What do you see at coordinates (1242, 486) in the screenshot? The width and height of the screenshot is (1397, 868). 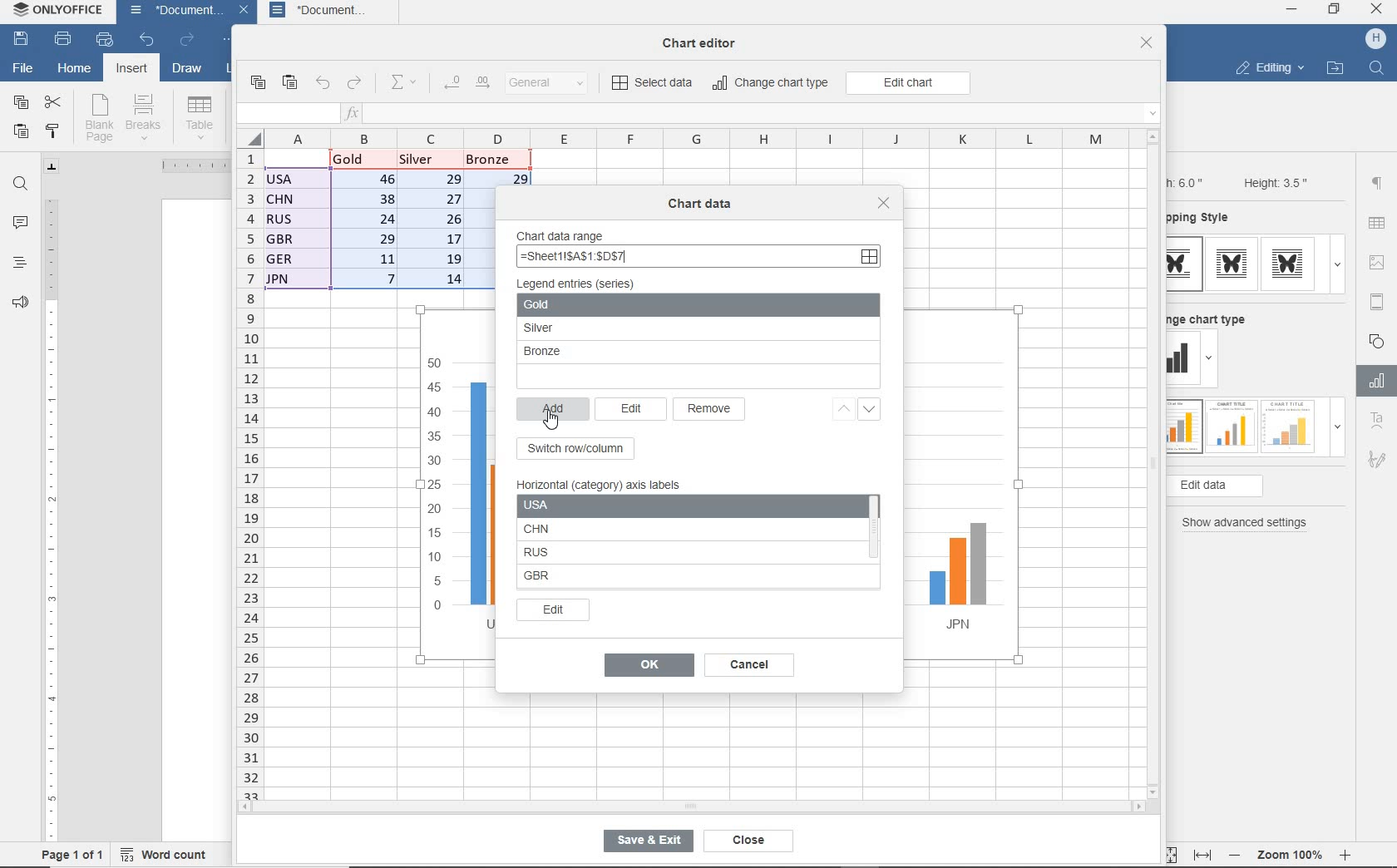 I see `edit data` at bounding box center [1242, 486].